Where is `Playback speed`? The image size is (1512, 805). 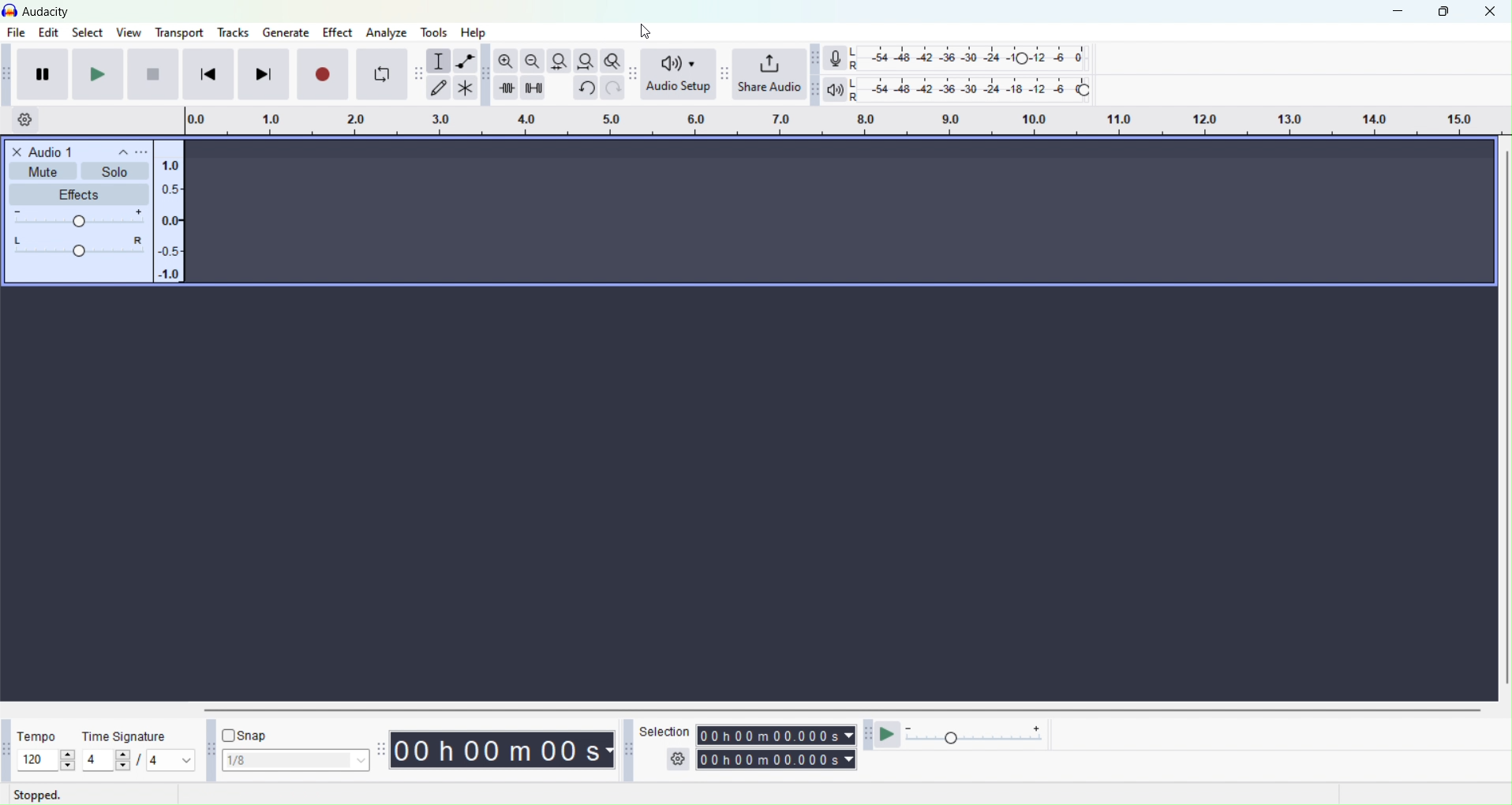 Playback speed is located at coordinates (983, 736).